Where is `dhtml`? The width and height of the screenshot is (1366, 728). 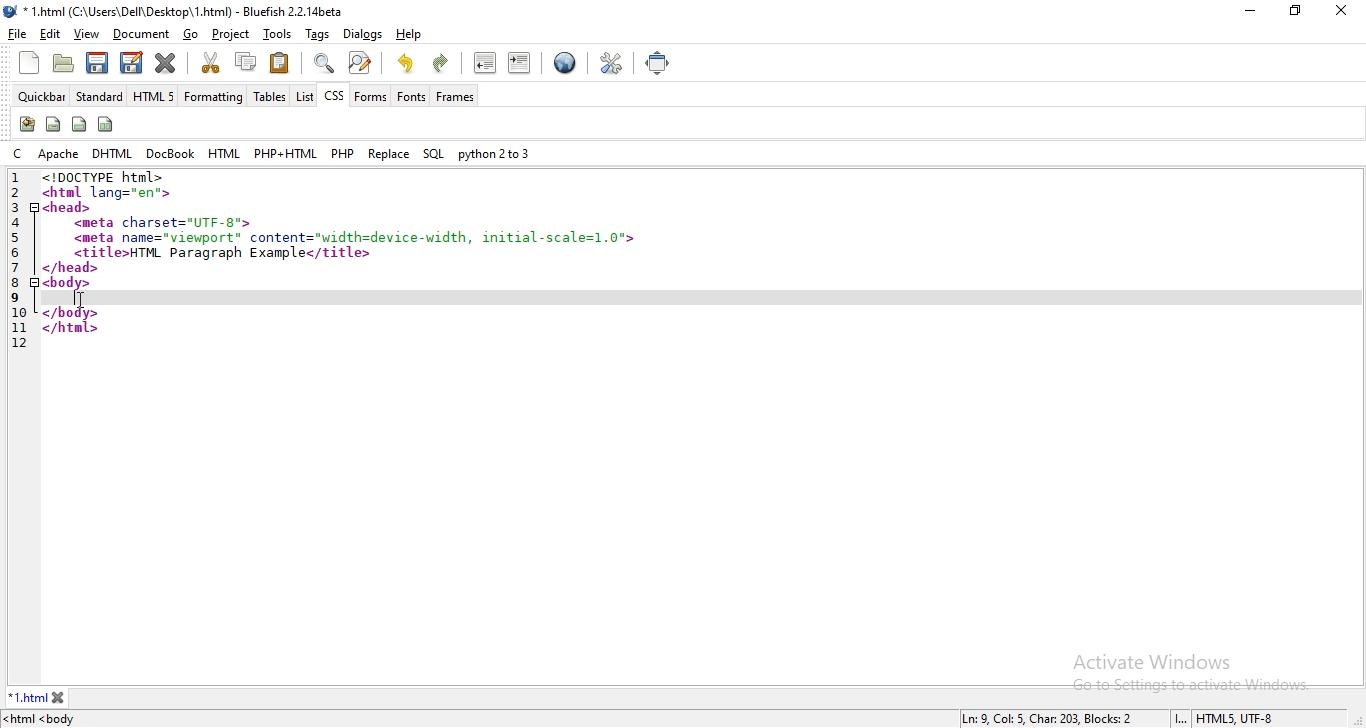
dhtml is located at coordinates (111, 153).